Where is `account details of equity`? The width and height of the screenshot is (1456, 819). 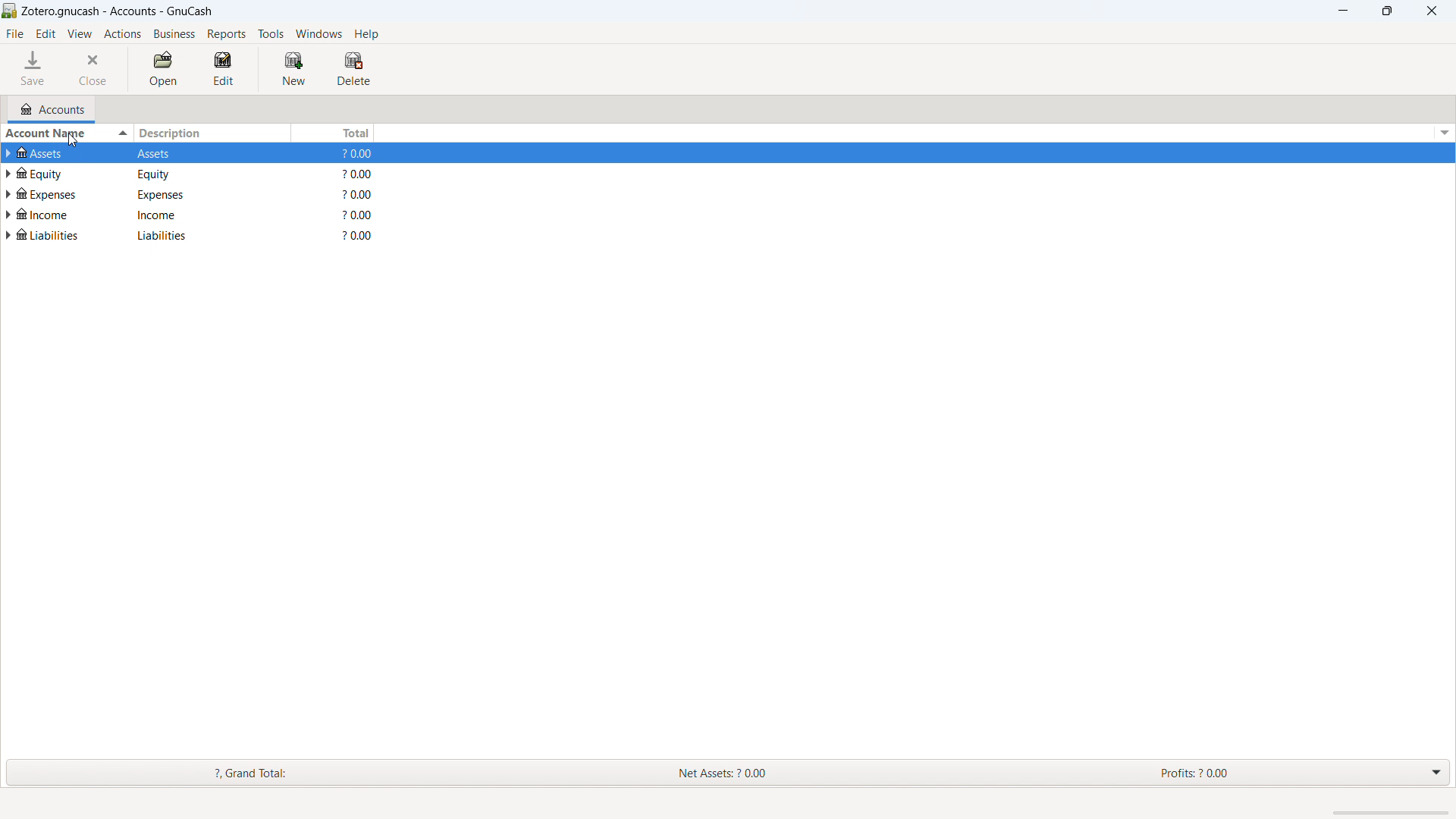 account details of equity is located at coordinates (206, 175).